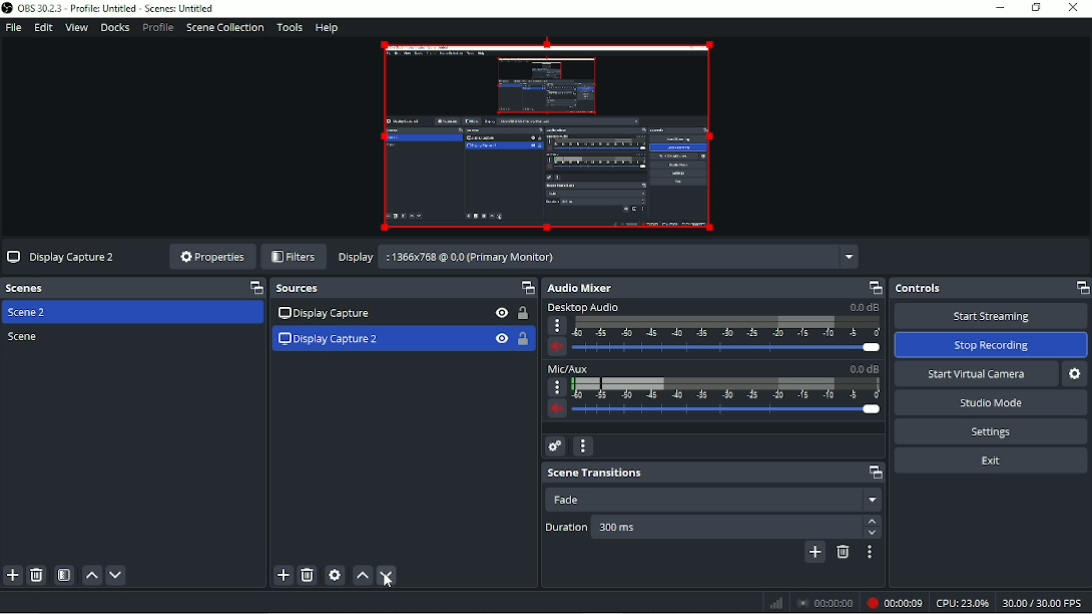 This screenshot has height=614, width=1092. Describe the element at coordinates (362, 575) in the screenshot. I see `Move source(s) up` at that location.